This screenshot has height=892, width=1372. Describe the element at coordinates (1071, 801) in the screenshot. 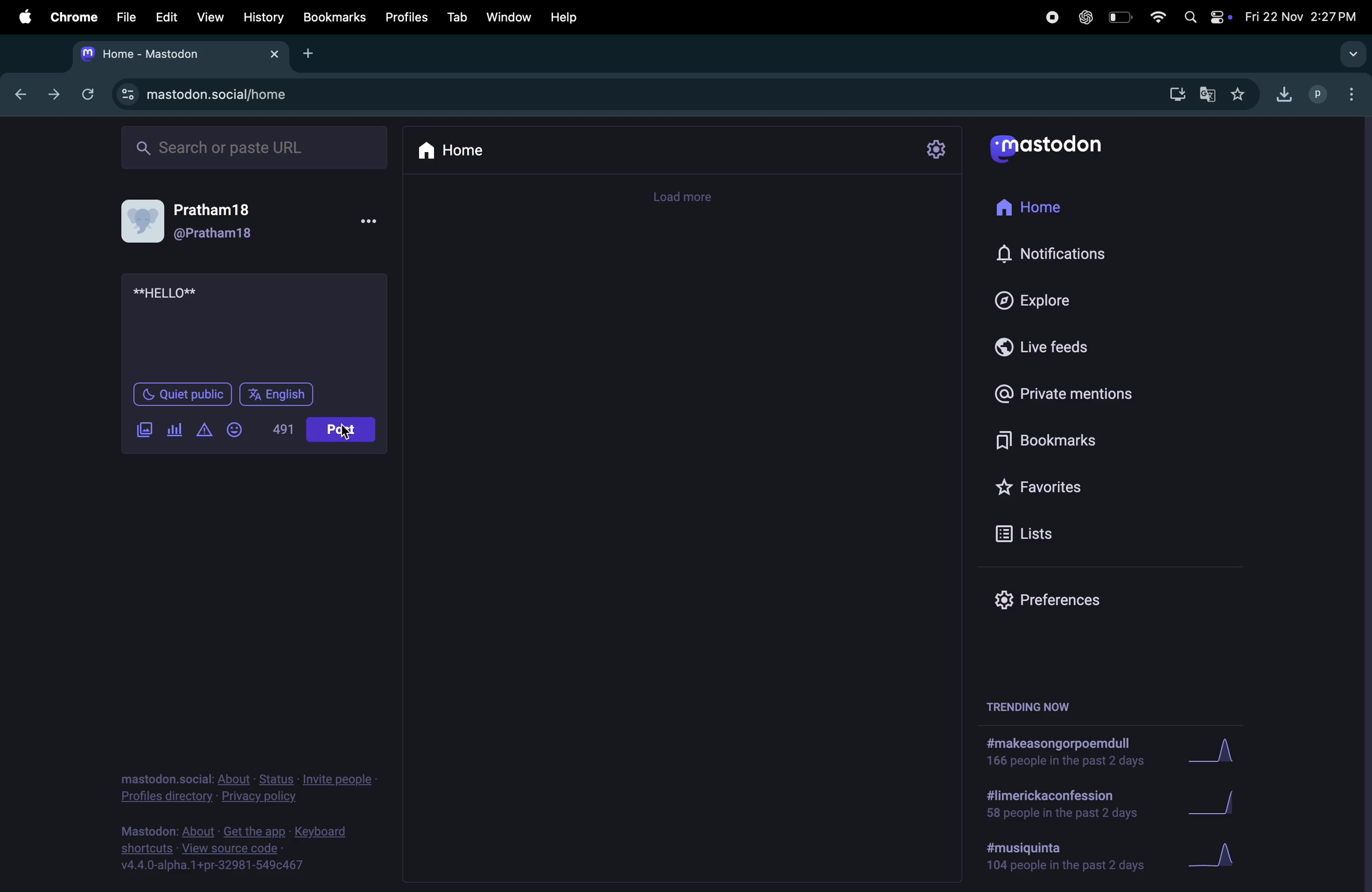

I see `limerick confession` at that location.